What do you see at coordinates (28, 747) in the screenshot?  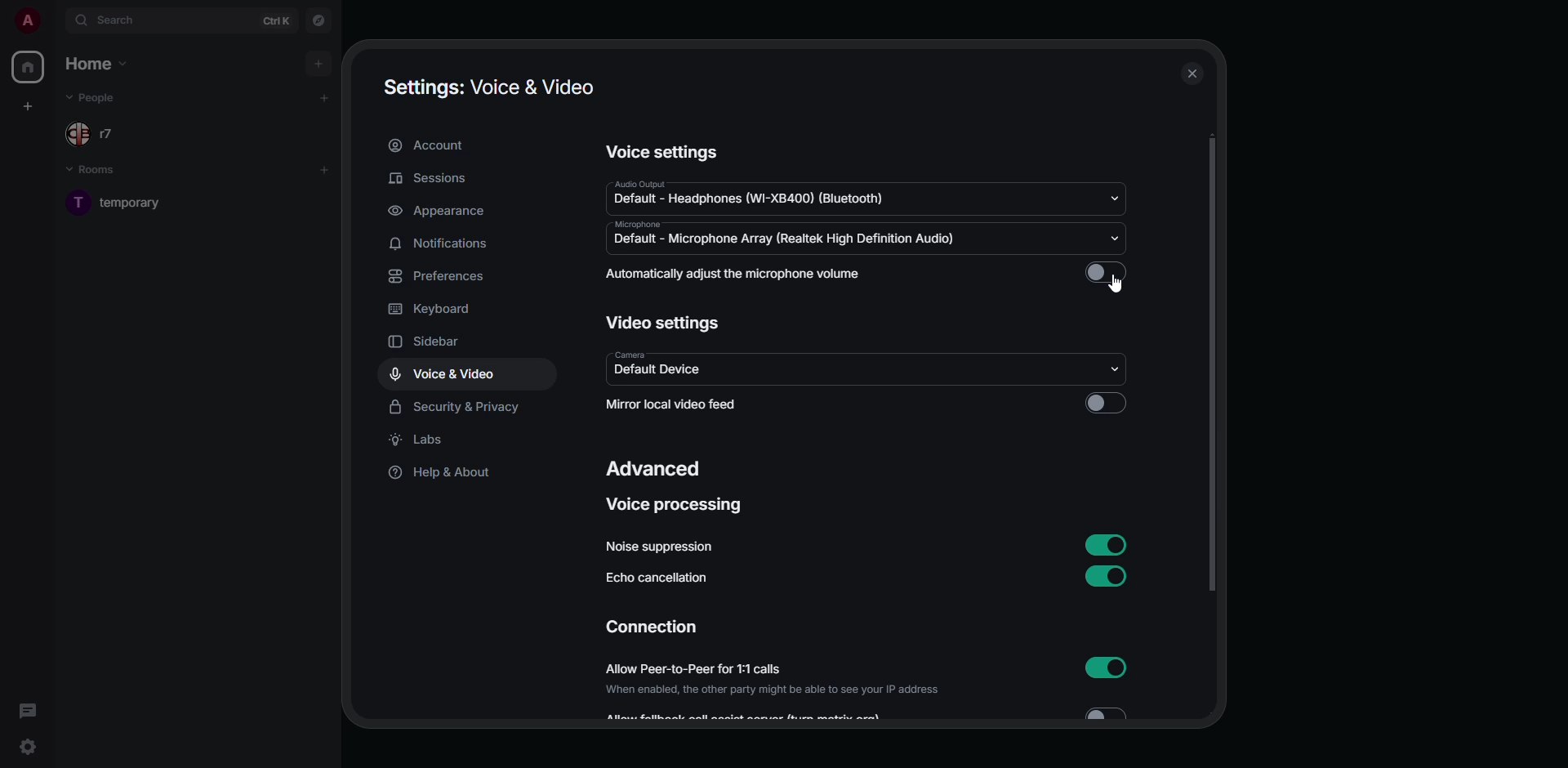 I see `settings` at bounding box center [28, 747].